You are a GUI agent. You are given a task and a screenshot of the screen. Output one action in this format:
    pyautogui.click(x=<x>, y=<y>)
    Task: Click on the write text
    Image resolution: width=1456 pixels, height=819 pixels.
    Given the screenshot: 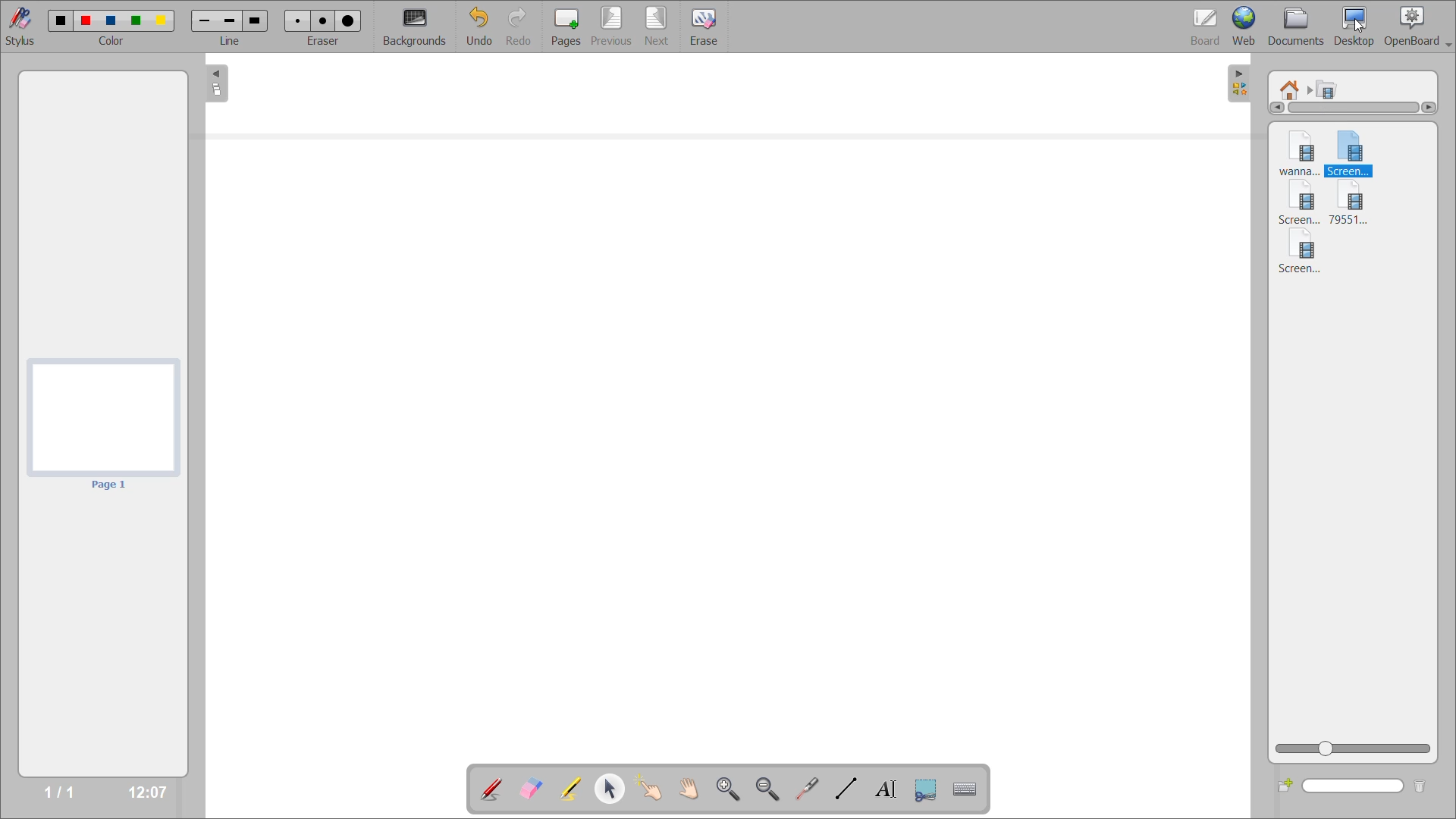 What is the action you would take?
    pyautogui.click(x=883, y=790)
    